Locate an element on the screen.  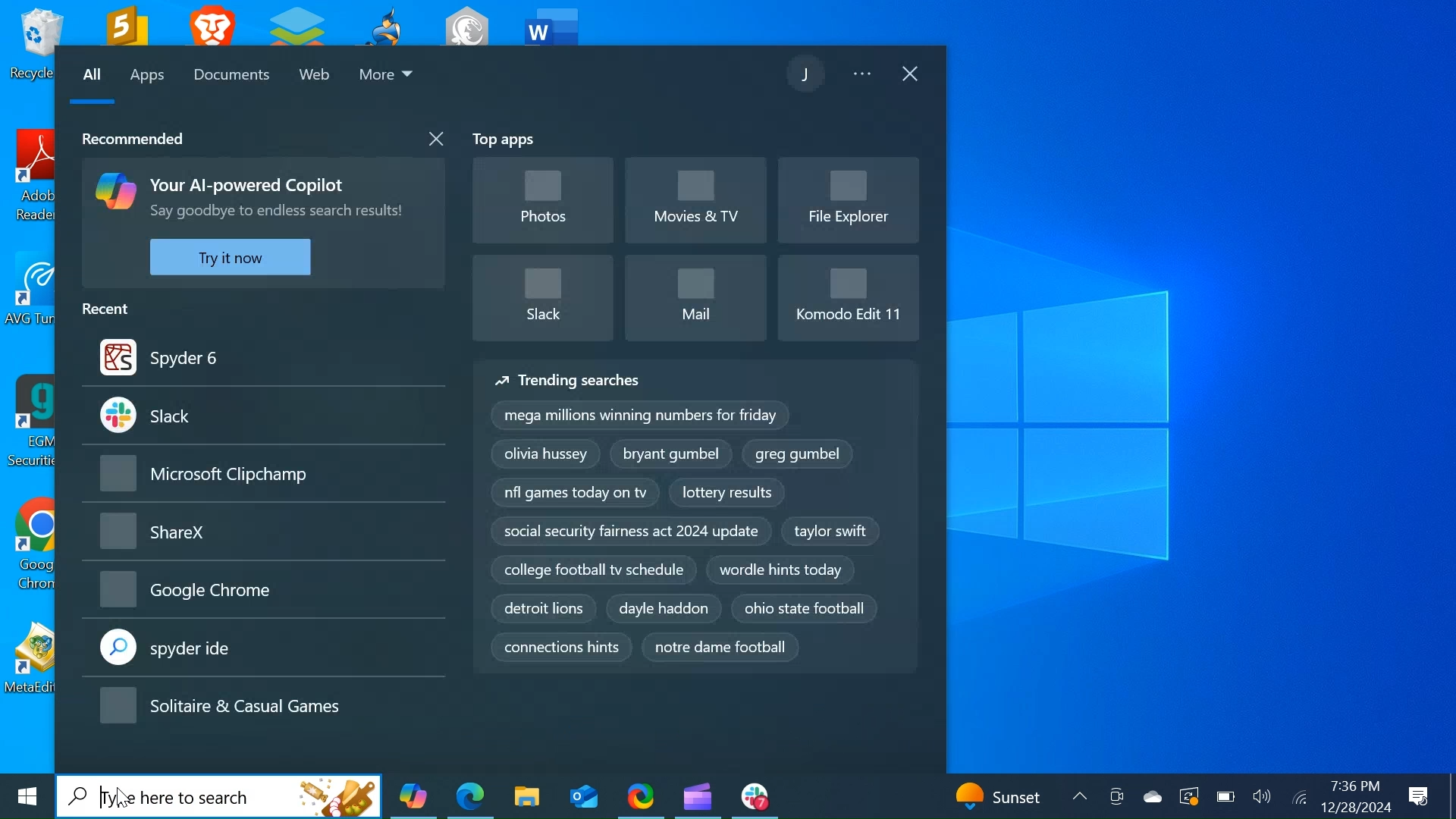
Slack is located at coordinates (262, 415).